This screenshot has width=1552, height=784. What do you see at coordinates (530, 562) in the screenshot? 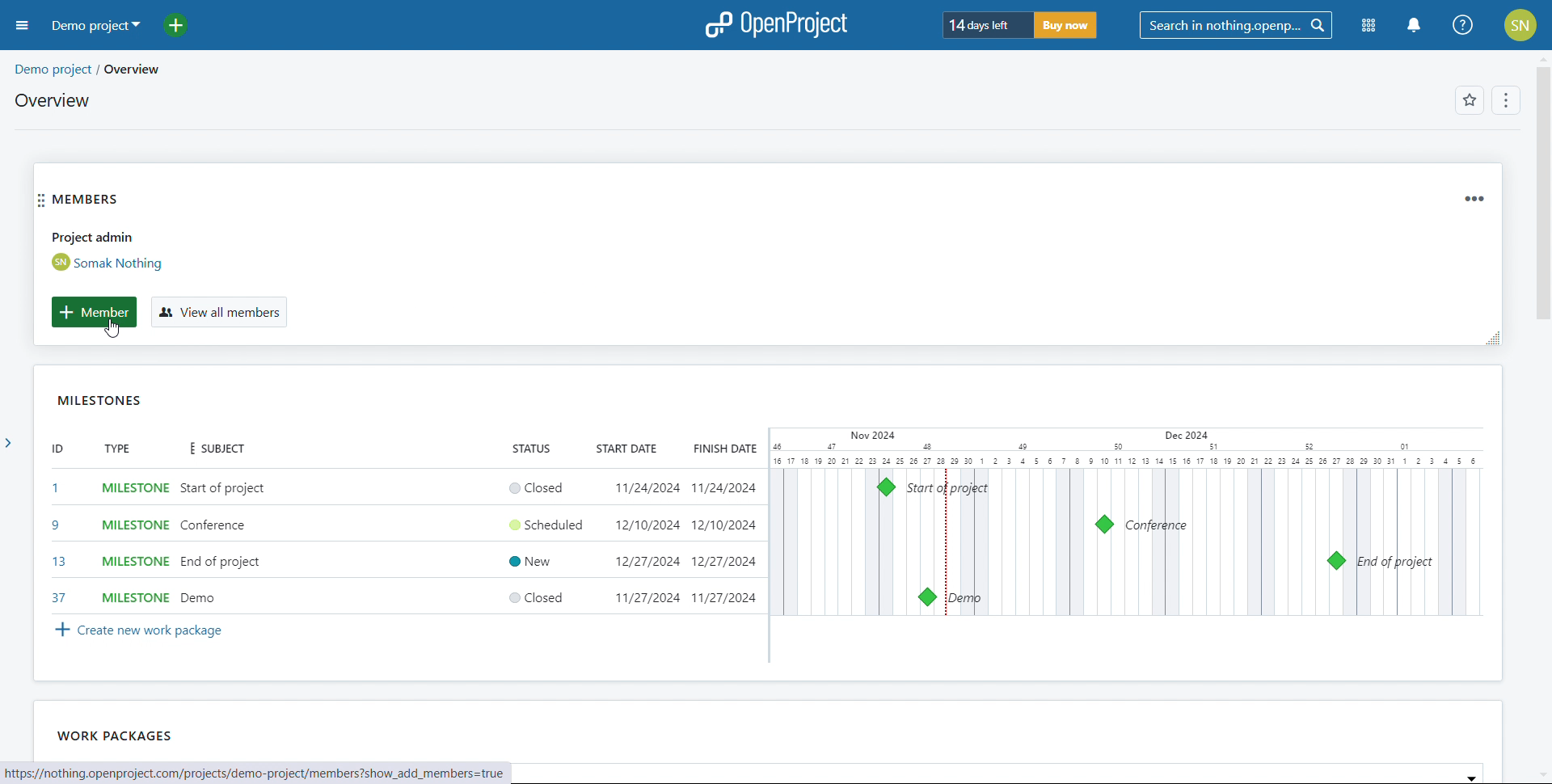
I see `New` at bounding box center [530, 562].